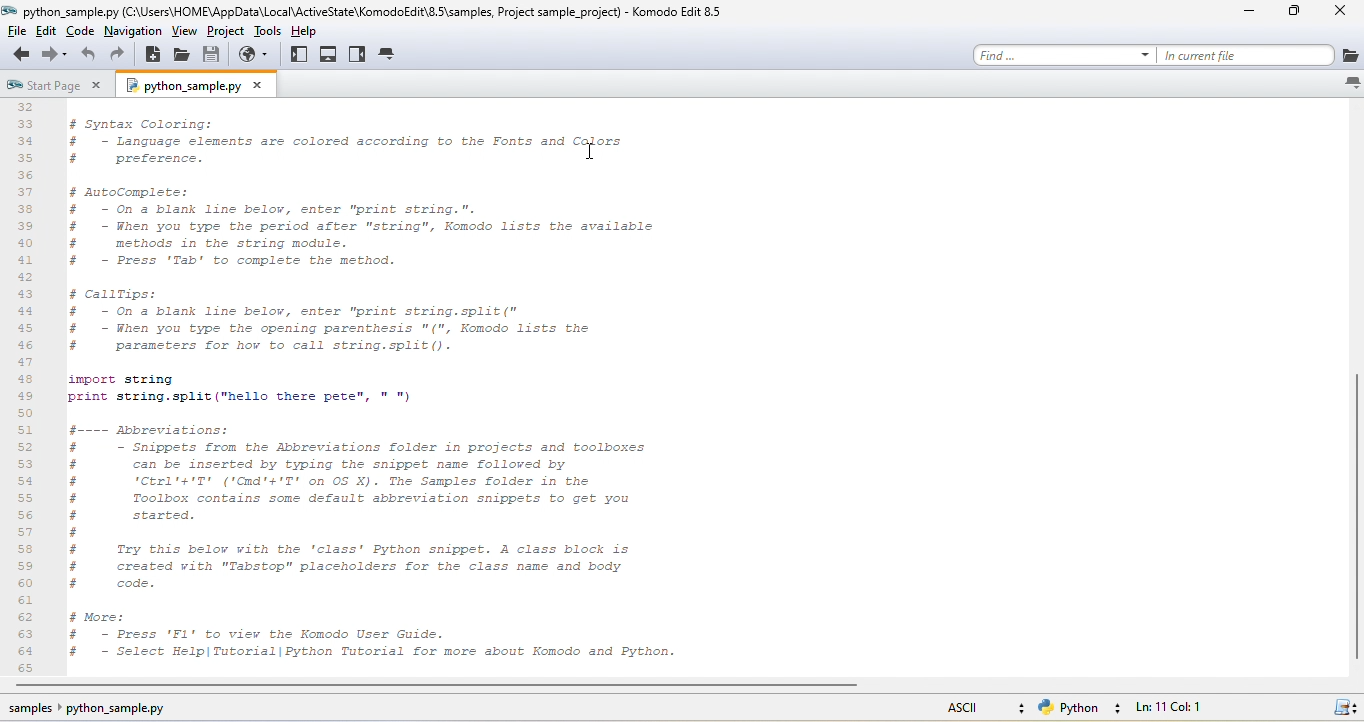 This screenshot has width=1364, height=722. Describe the element at coordinates (373, 11) in the screenshot. I see `title` at that location.